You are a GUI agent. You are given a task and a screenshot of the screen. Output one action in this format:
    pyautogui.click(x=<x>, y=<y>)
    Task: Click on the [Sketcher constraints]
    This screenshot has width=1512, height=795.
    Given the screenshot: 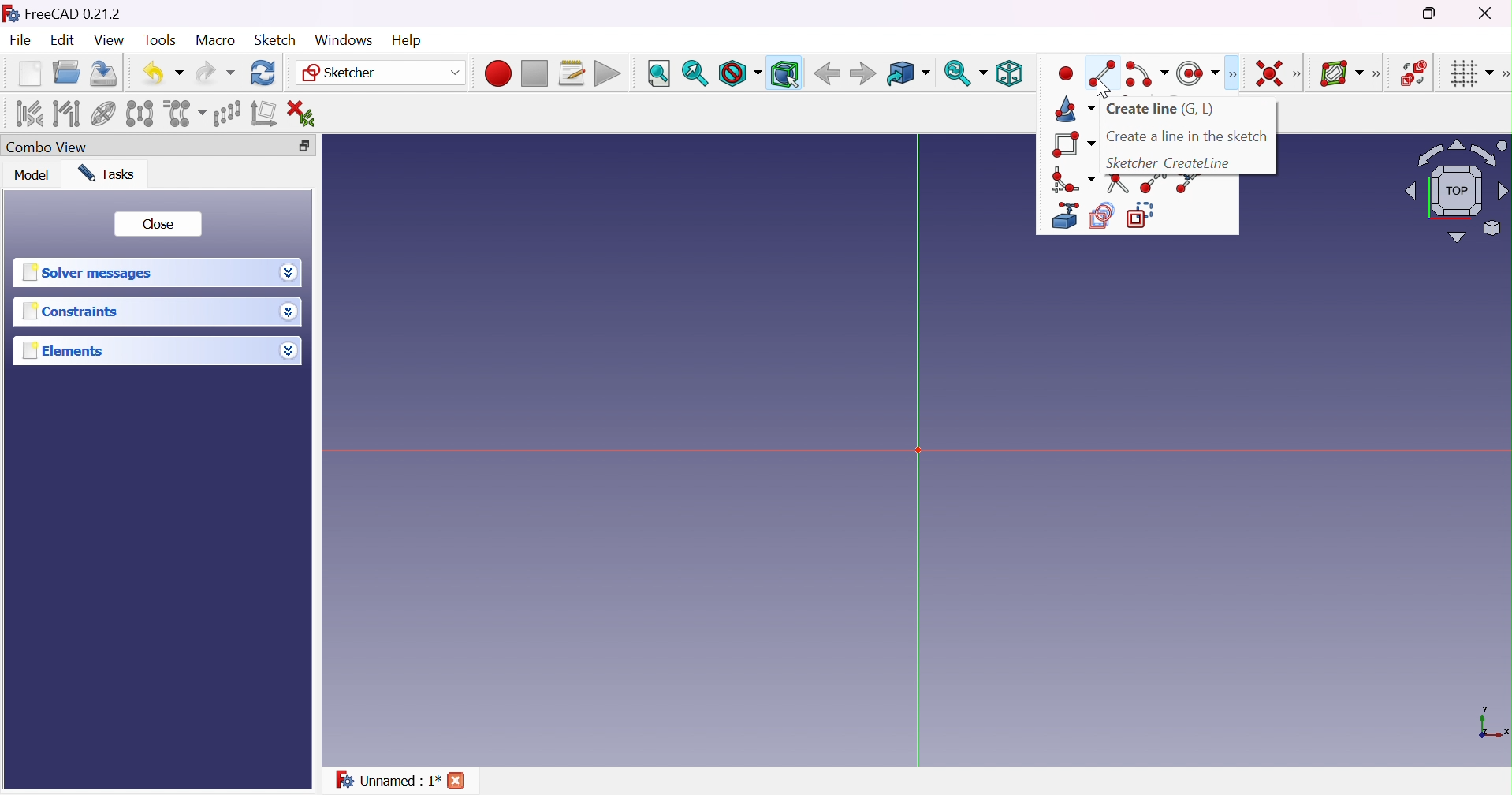 What is the action you would take?
    pyautogui.click(x=1300, y=74)
    